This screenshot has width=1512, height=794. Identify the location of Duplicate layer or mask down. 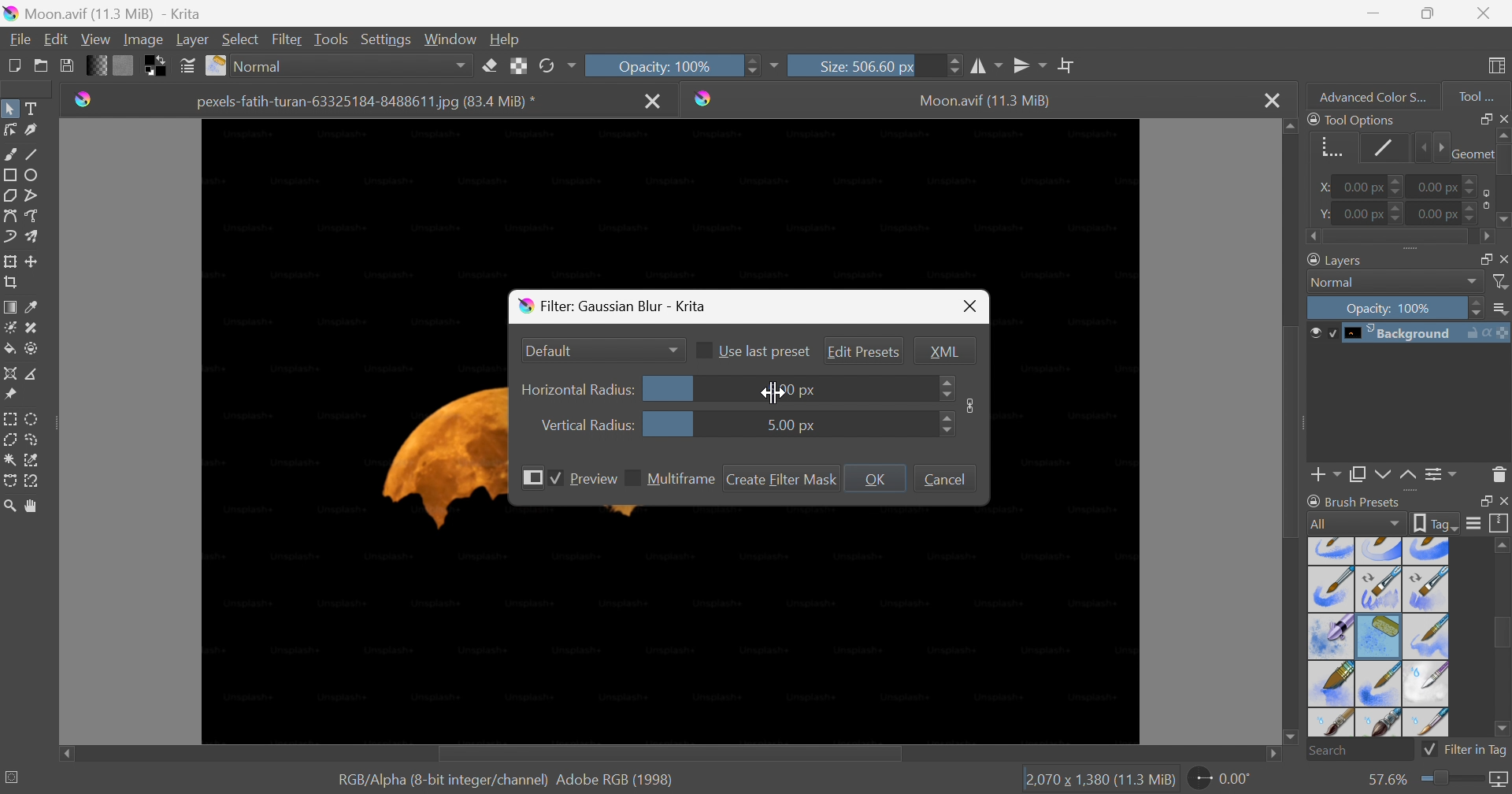
(1357, 477).